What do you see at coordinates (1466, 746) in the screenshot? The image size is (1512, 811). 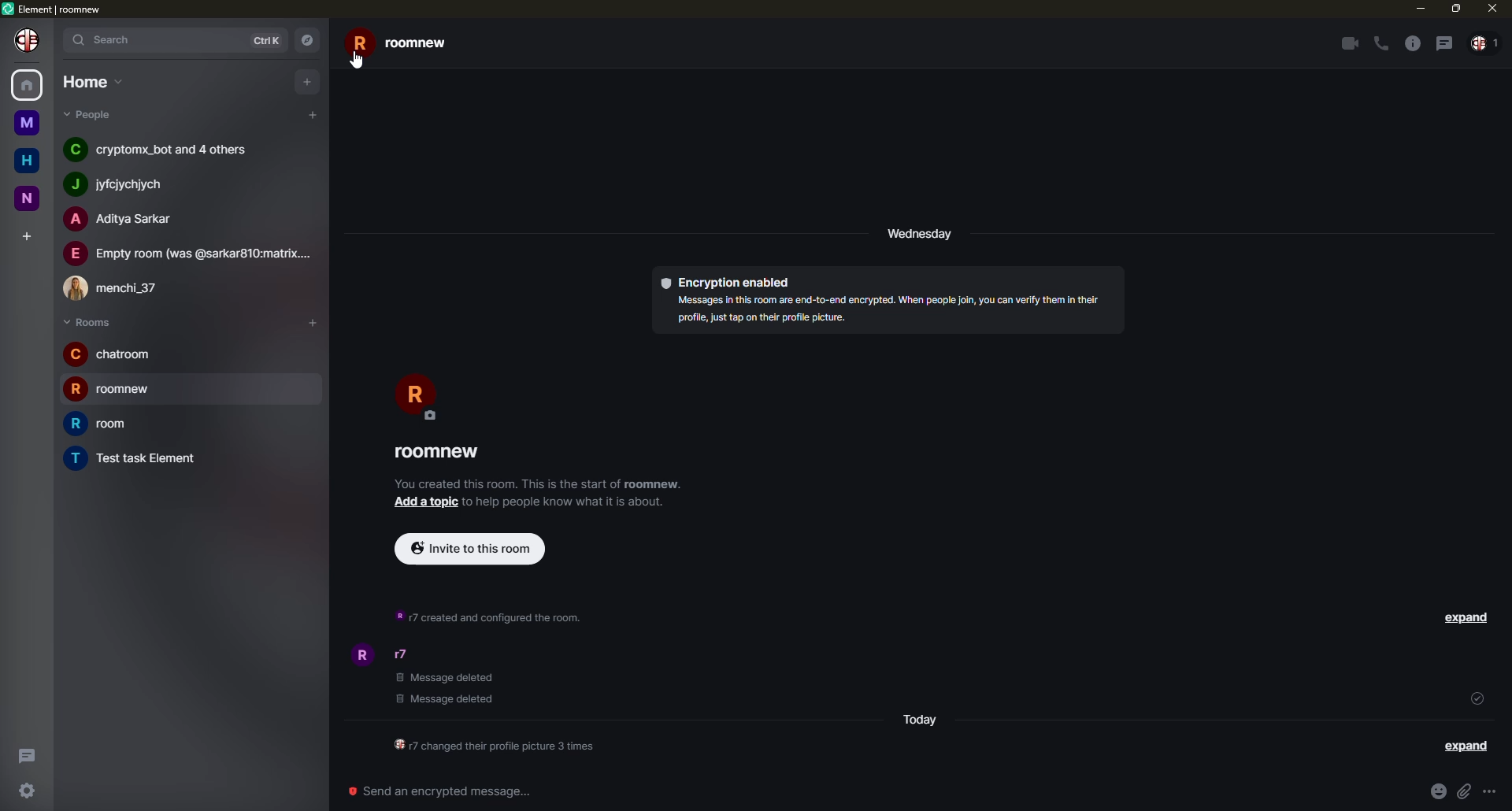 I see `expand` at bounding box center [1466, 746].